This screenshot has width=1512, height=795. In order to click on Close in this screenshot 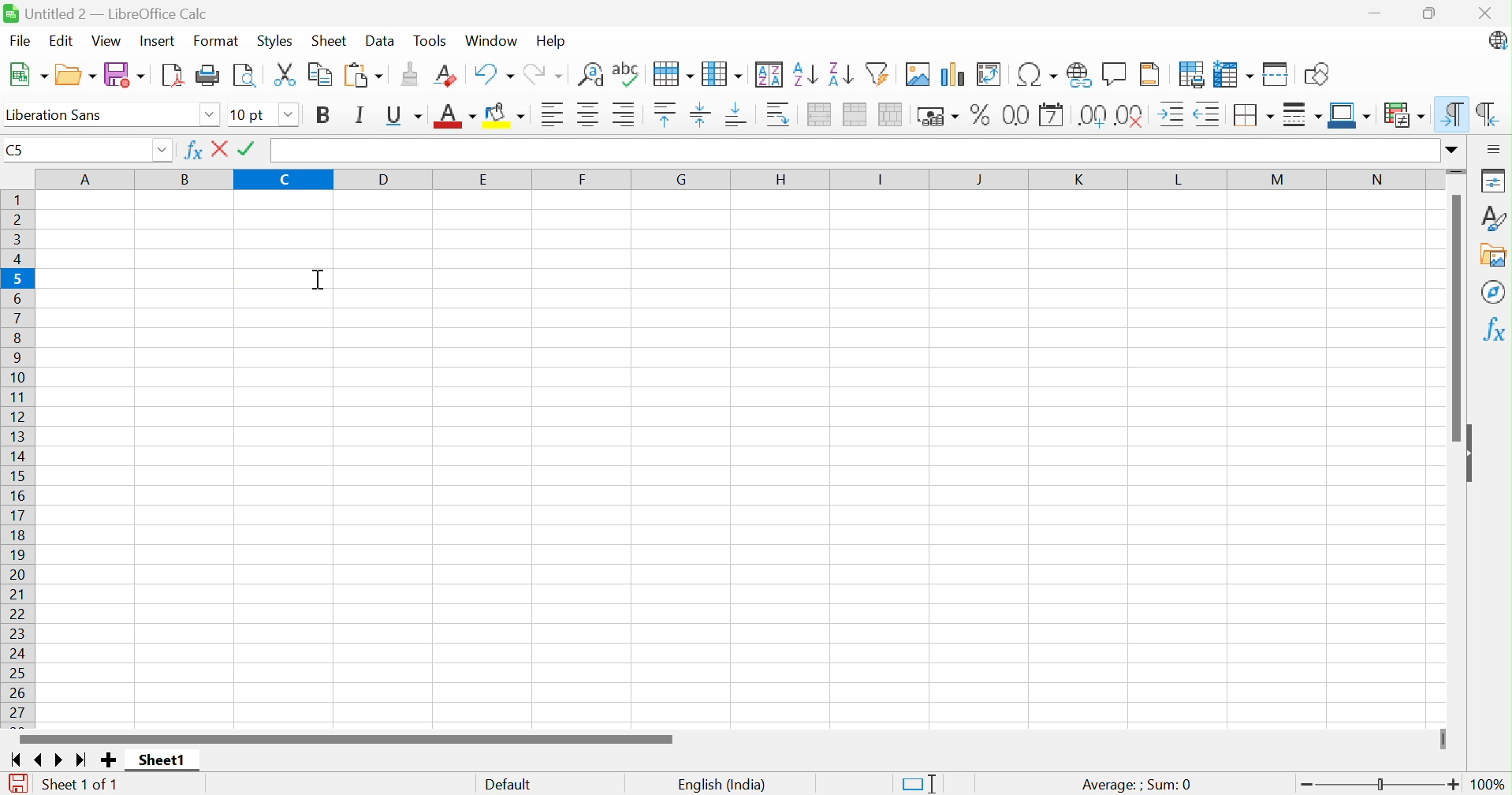, I will do `click(1483, 13)`.